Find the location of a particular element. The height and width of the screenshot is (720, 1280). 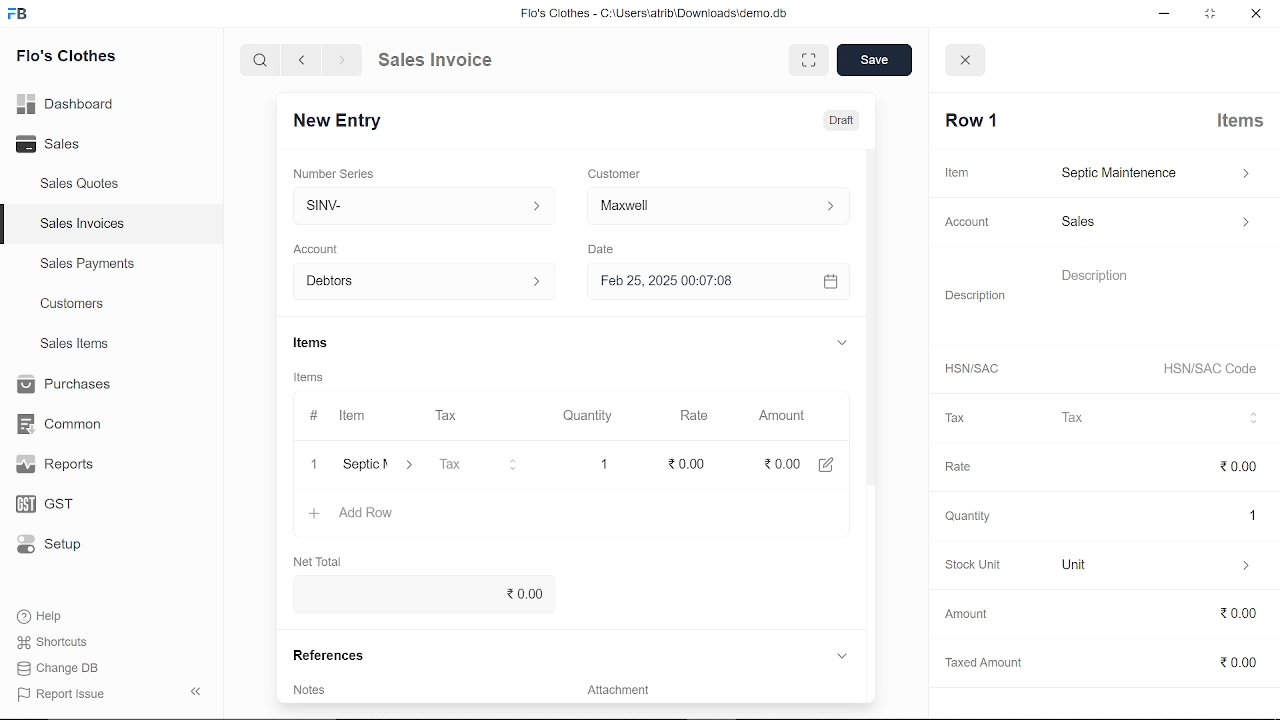

edit amount is located at coordinates (826, 465).